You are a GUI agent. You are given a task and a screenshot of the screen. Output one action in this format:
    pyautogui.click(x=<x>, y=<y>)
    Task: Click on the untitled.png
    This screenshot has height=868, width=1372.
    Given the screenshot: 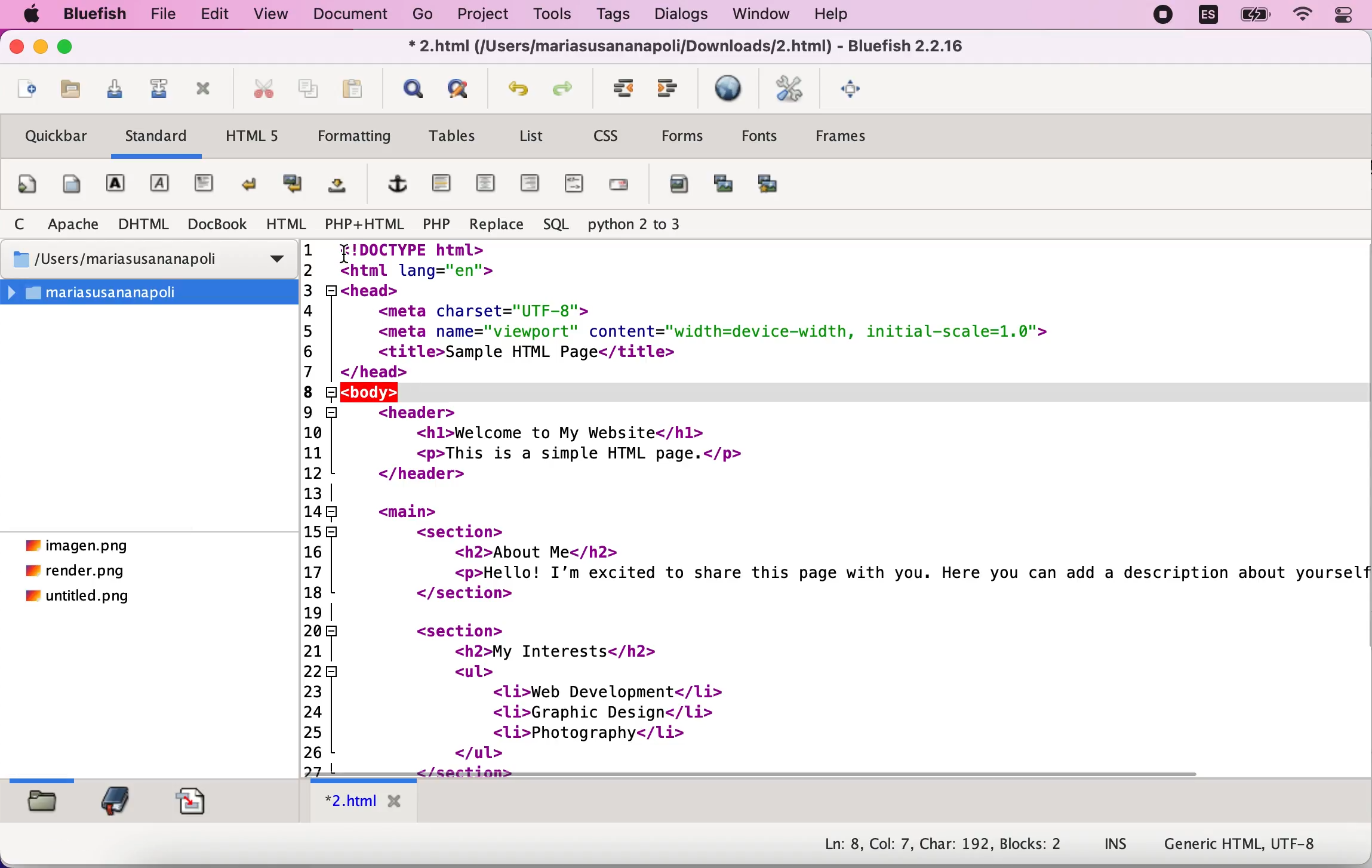 What is the action you would take?
    pyautogui.click(x=80, y=599)
    